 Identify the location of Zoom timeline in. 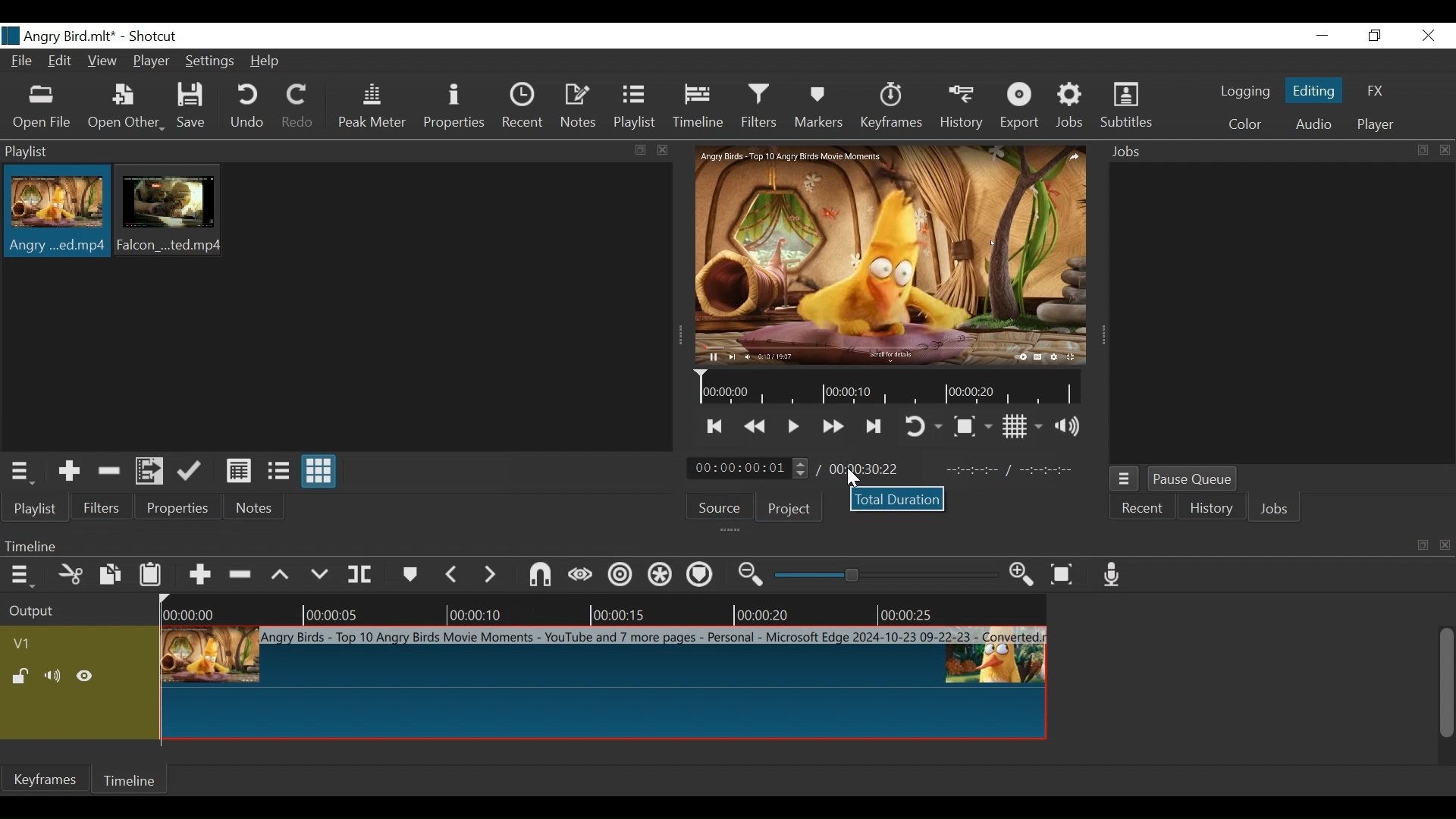
(1025, 574).